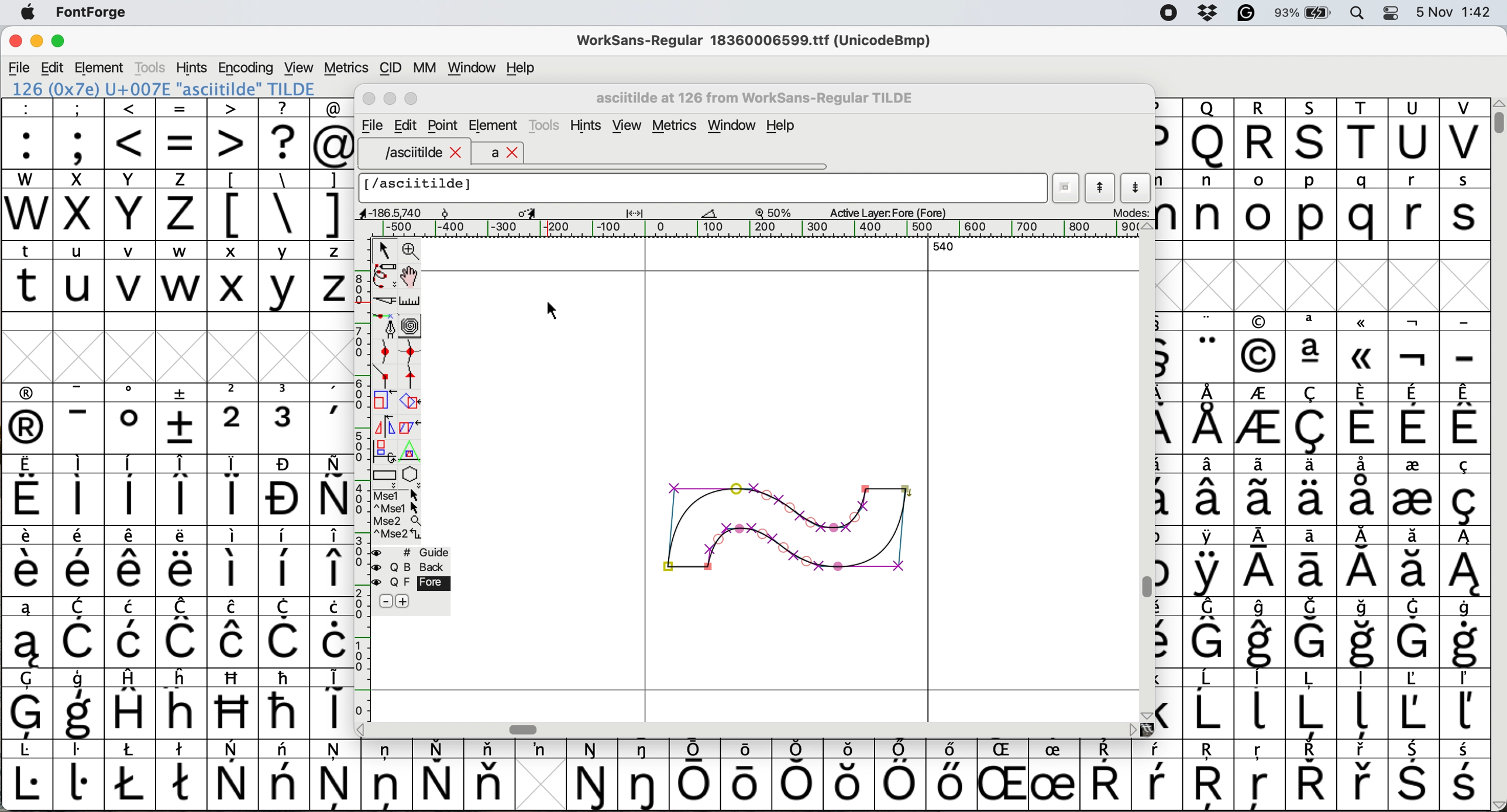 This screenshot has height=812, width=1507. I want to click on element, so click(494, 127).